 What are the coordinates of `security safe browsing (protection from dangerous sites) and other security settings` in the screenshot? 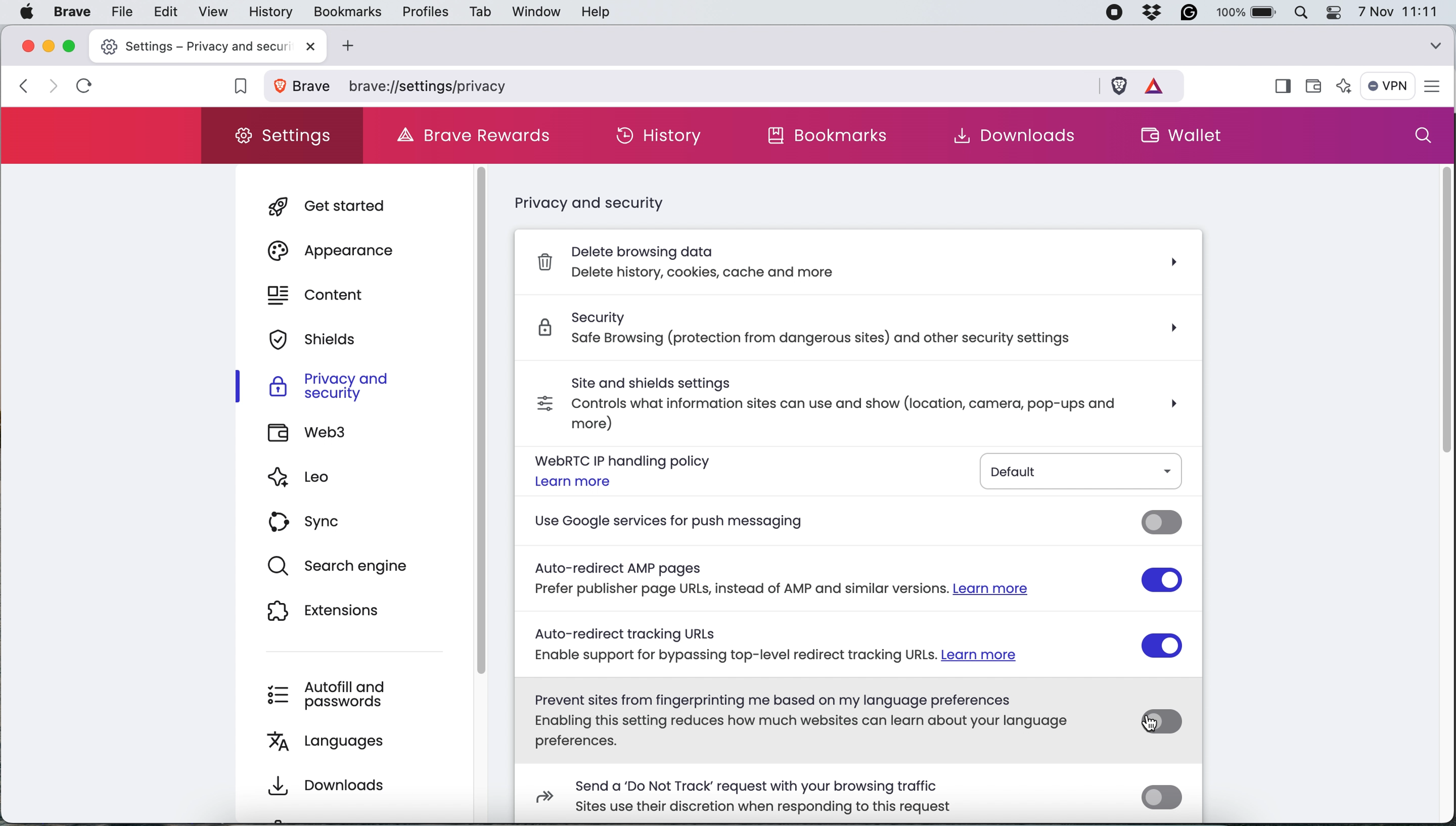 It's located at (853, 331).